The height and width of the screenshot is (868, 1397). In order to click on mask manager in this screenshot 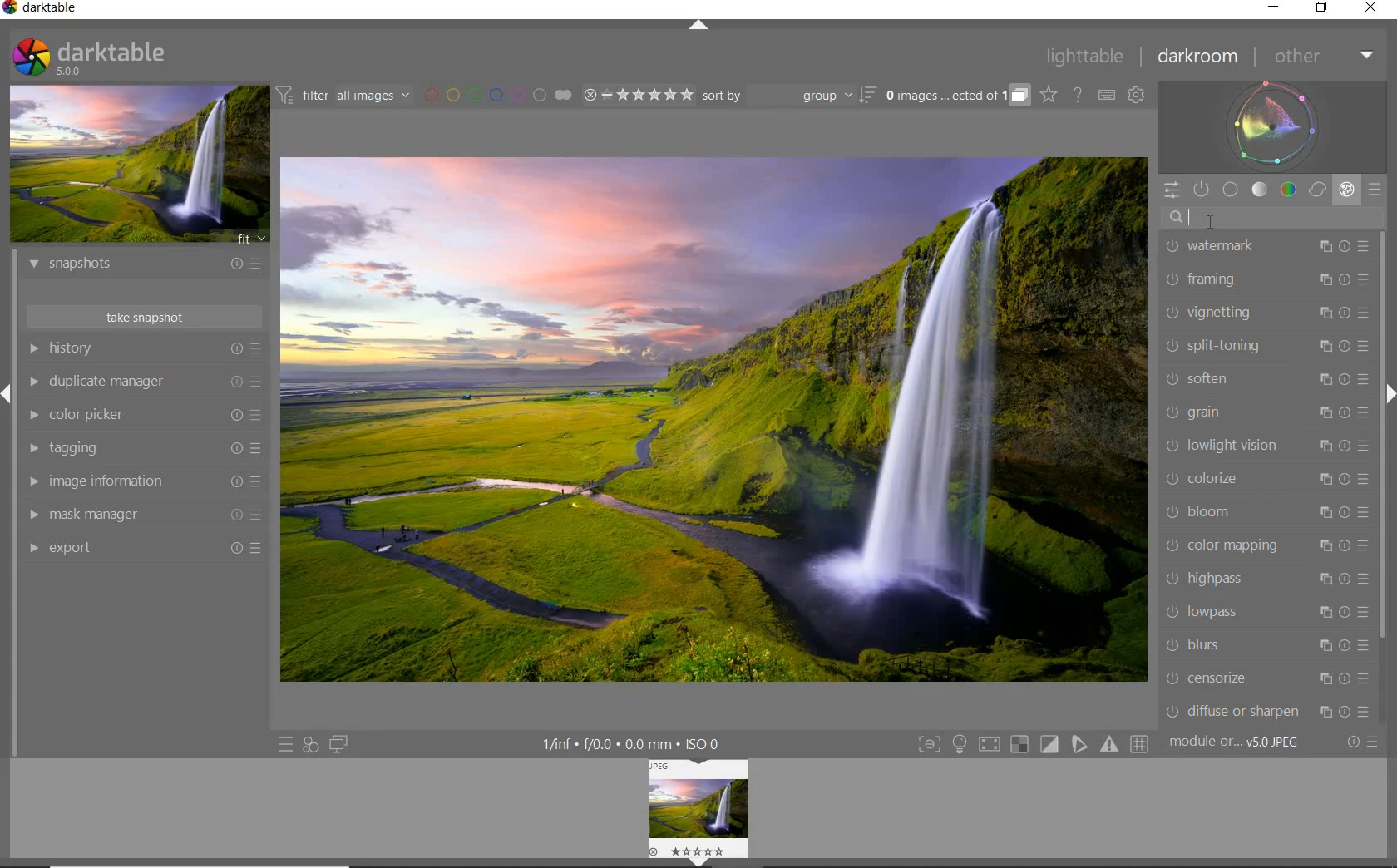, I will do `click(146, 515)`.